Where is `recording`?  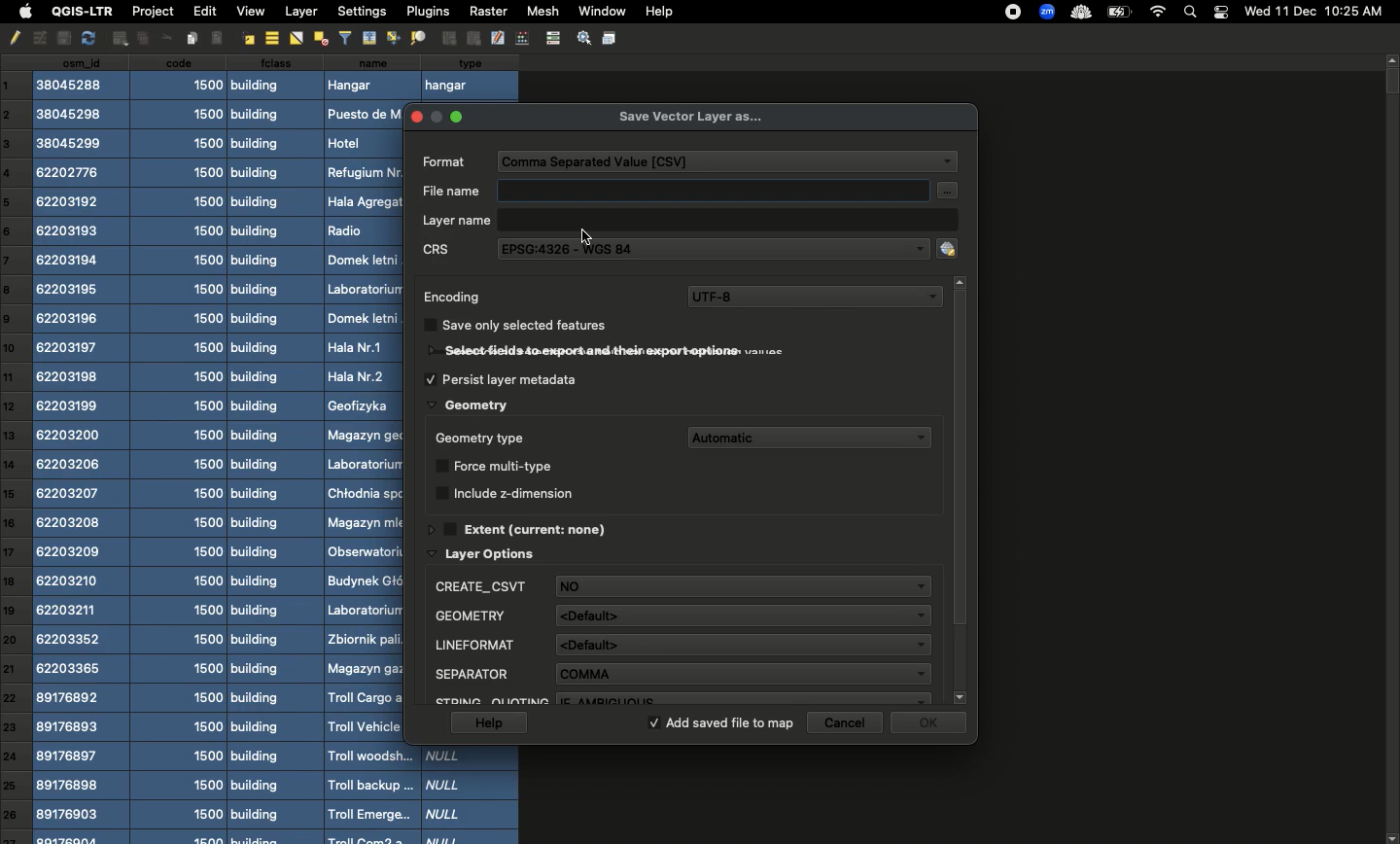 recording is located at coordinates (1015, 12).